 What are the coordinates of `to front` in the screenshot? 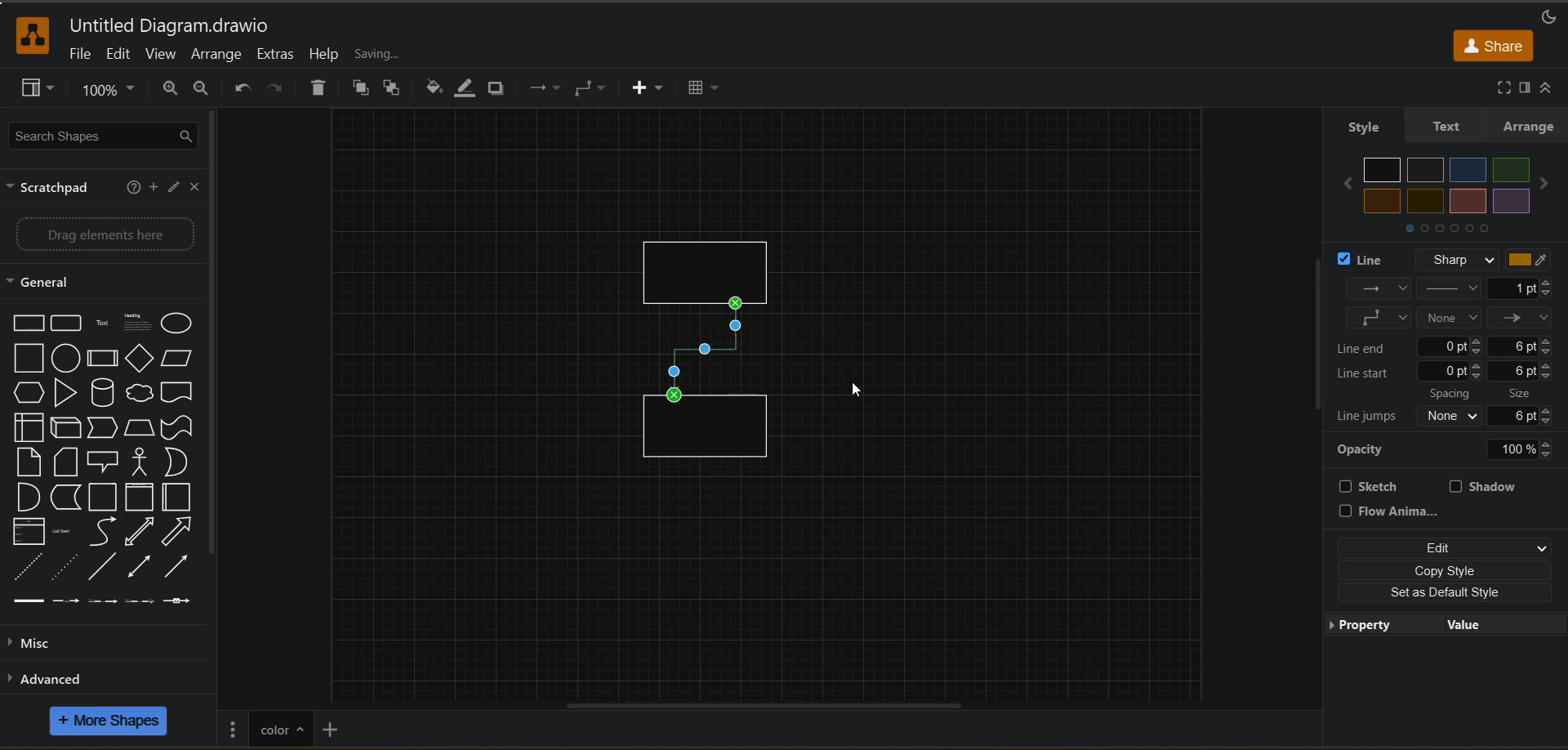 It's located at (362, 88).